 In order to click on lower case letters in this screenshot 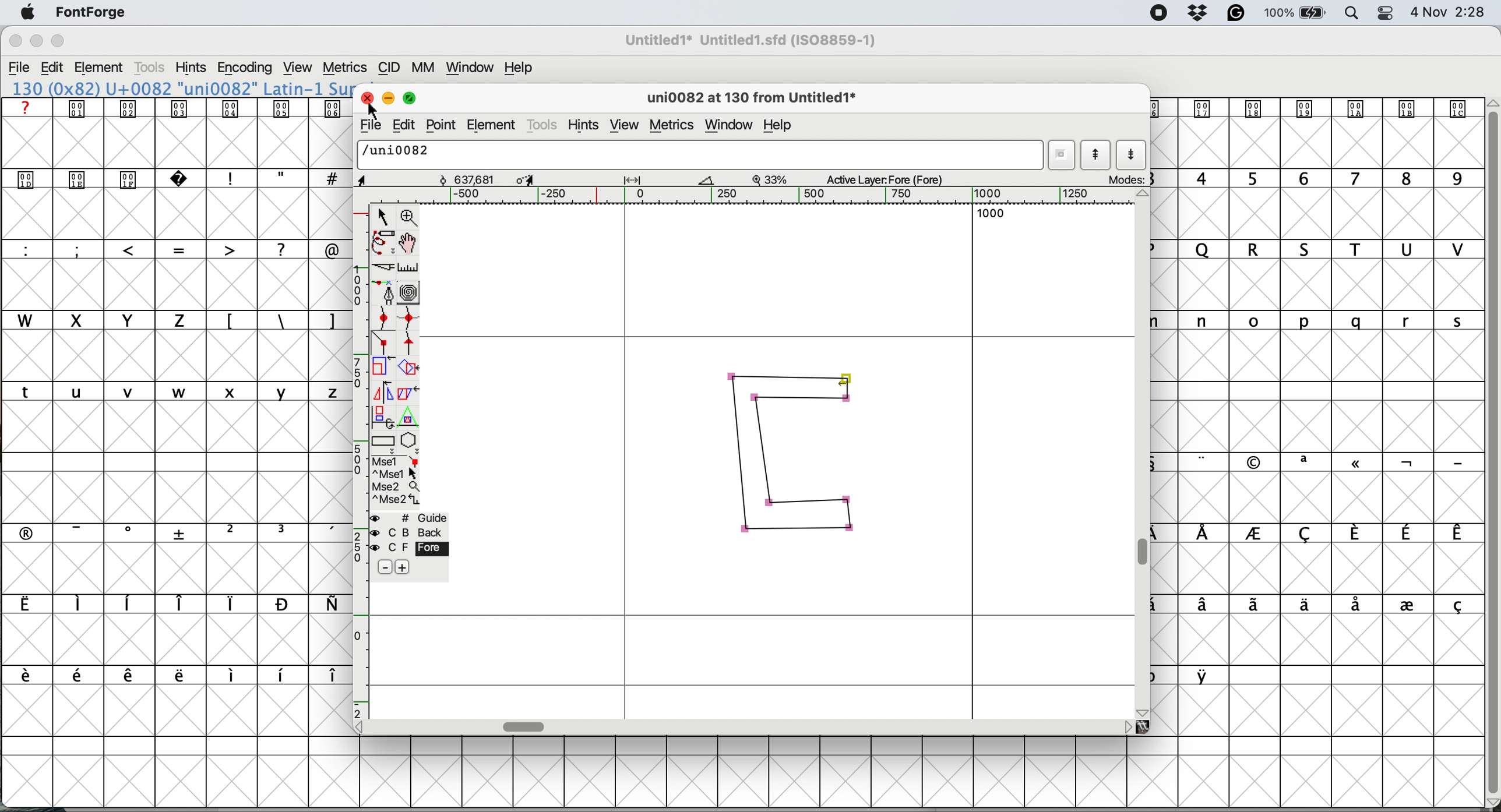, I will do `click(177, 391)`.